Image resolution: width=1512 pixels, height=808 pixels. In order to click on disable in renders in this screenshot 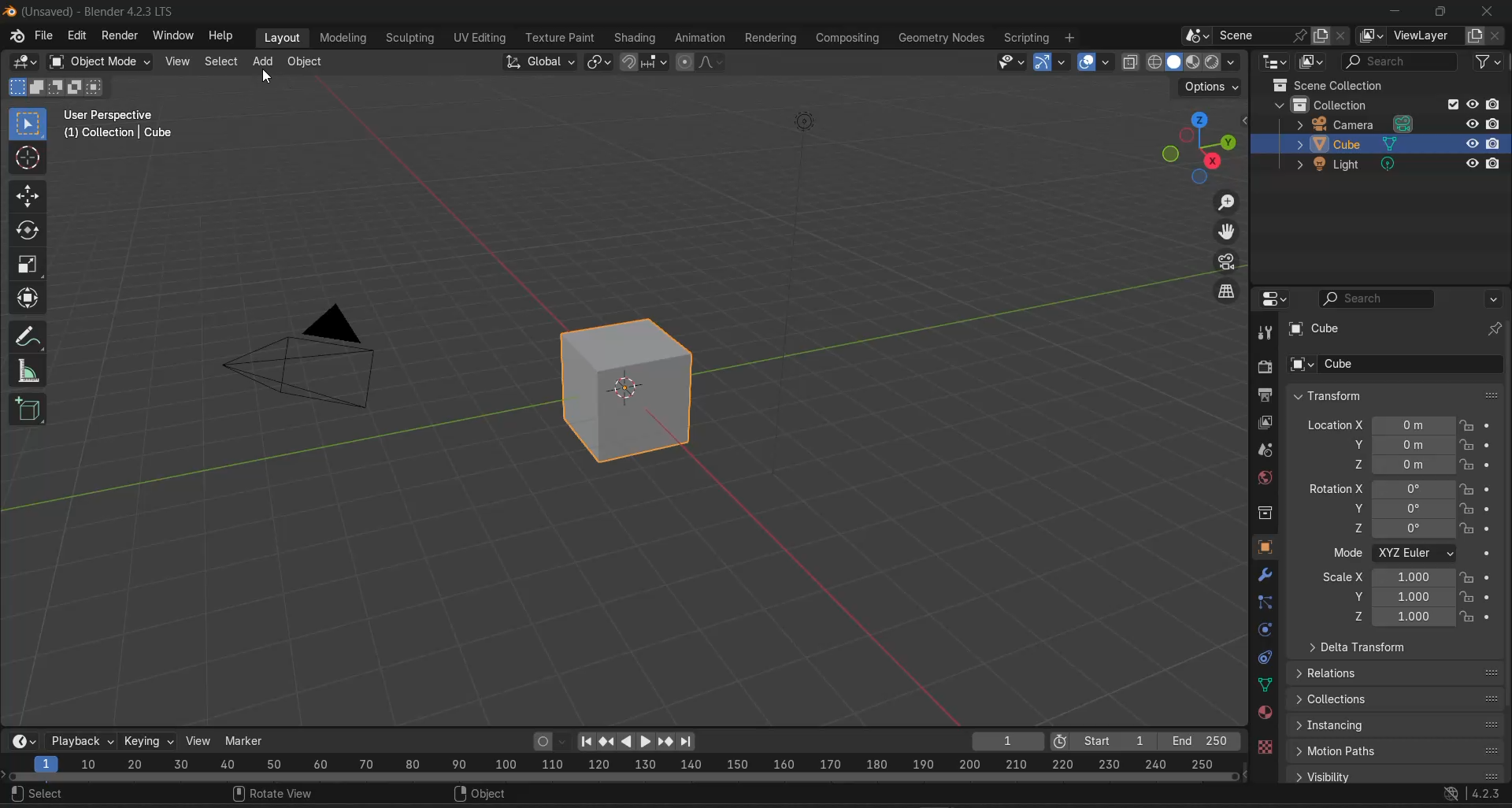, I will do `click(1495, 143)`.